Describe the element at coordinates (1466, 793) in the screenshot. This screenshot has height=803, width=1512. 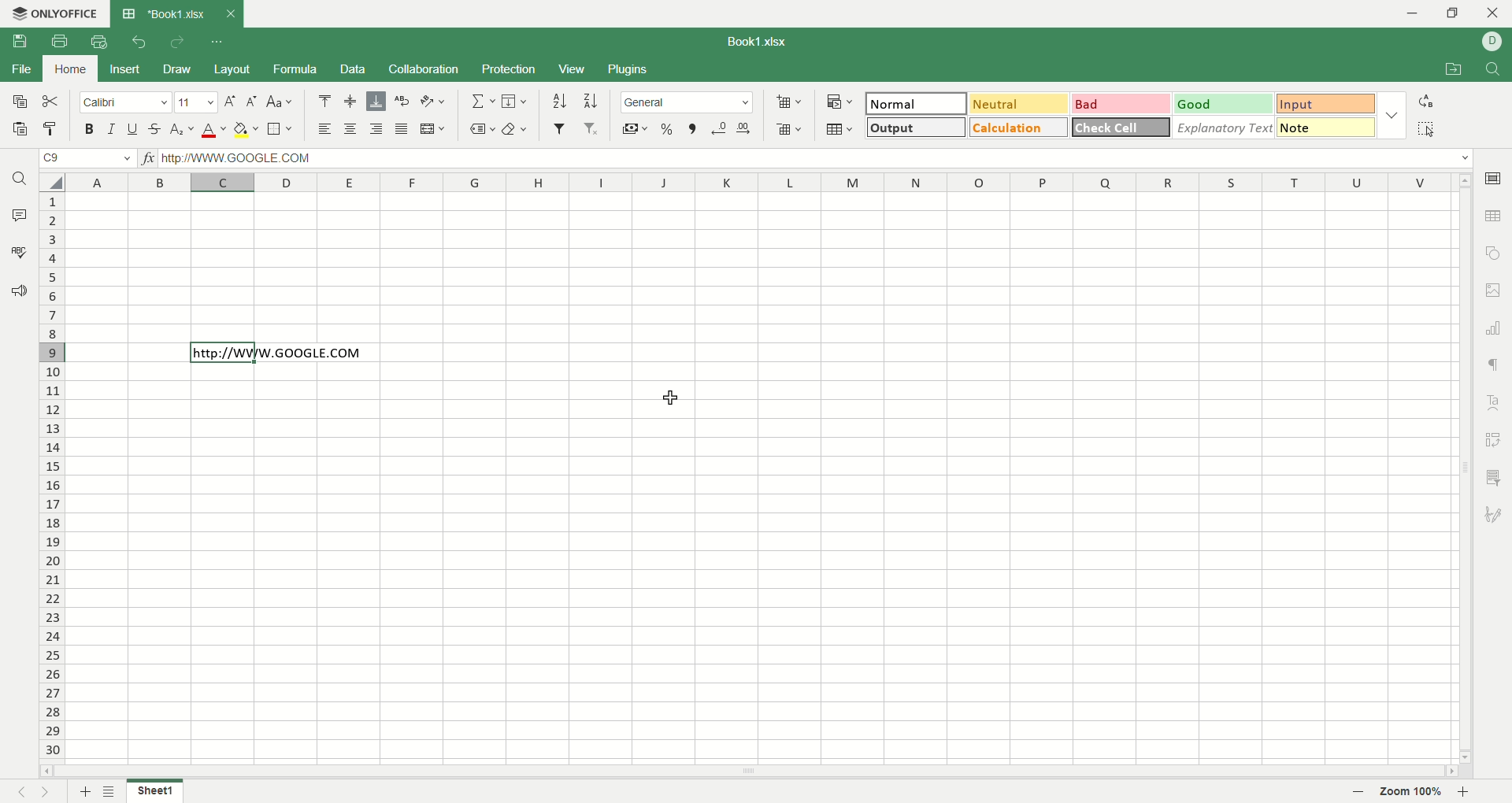
I see `zoom out` at that location.